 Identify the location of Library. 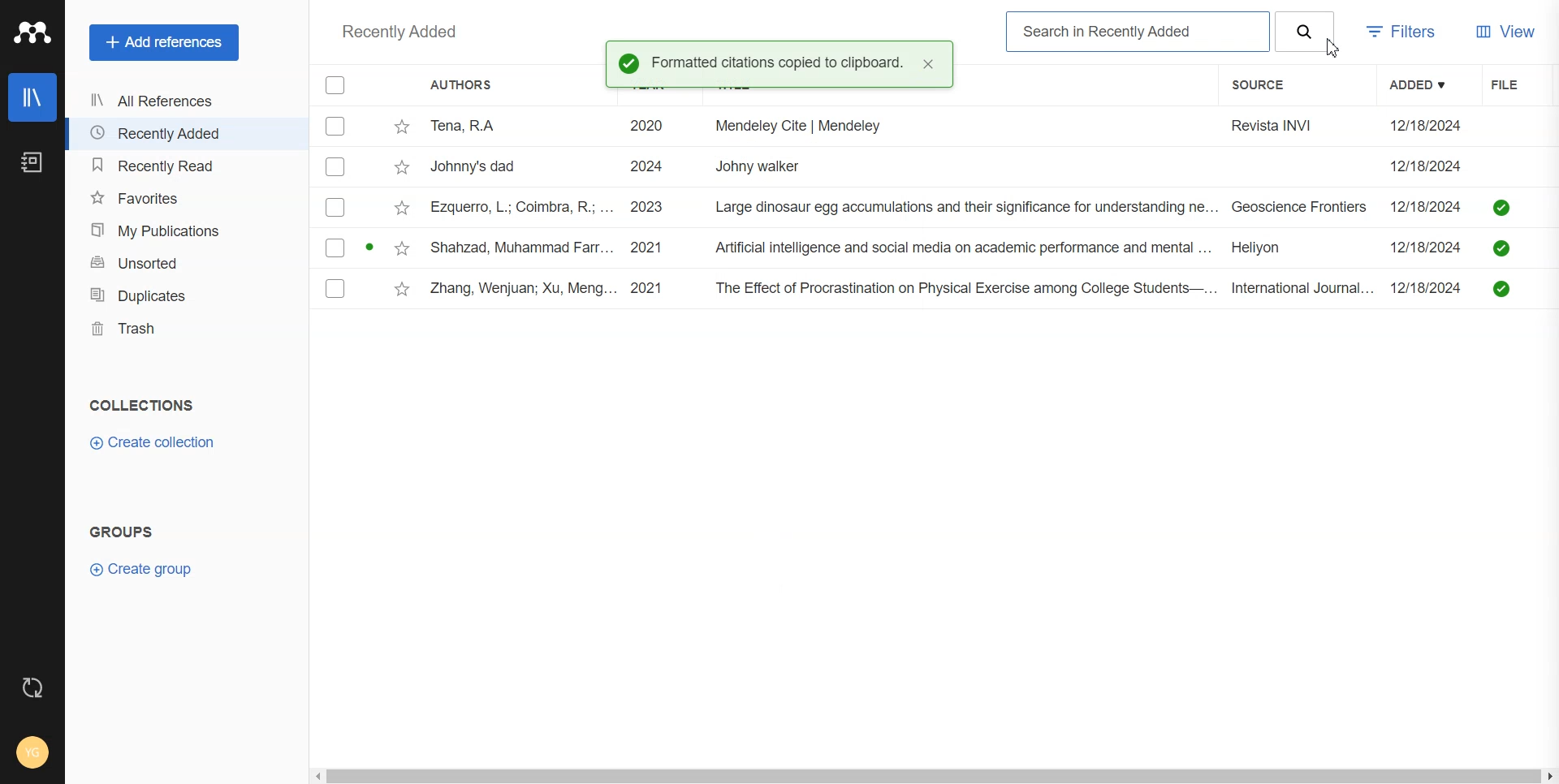
(33, 97).